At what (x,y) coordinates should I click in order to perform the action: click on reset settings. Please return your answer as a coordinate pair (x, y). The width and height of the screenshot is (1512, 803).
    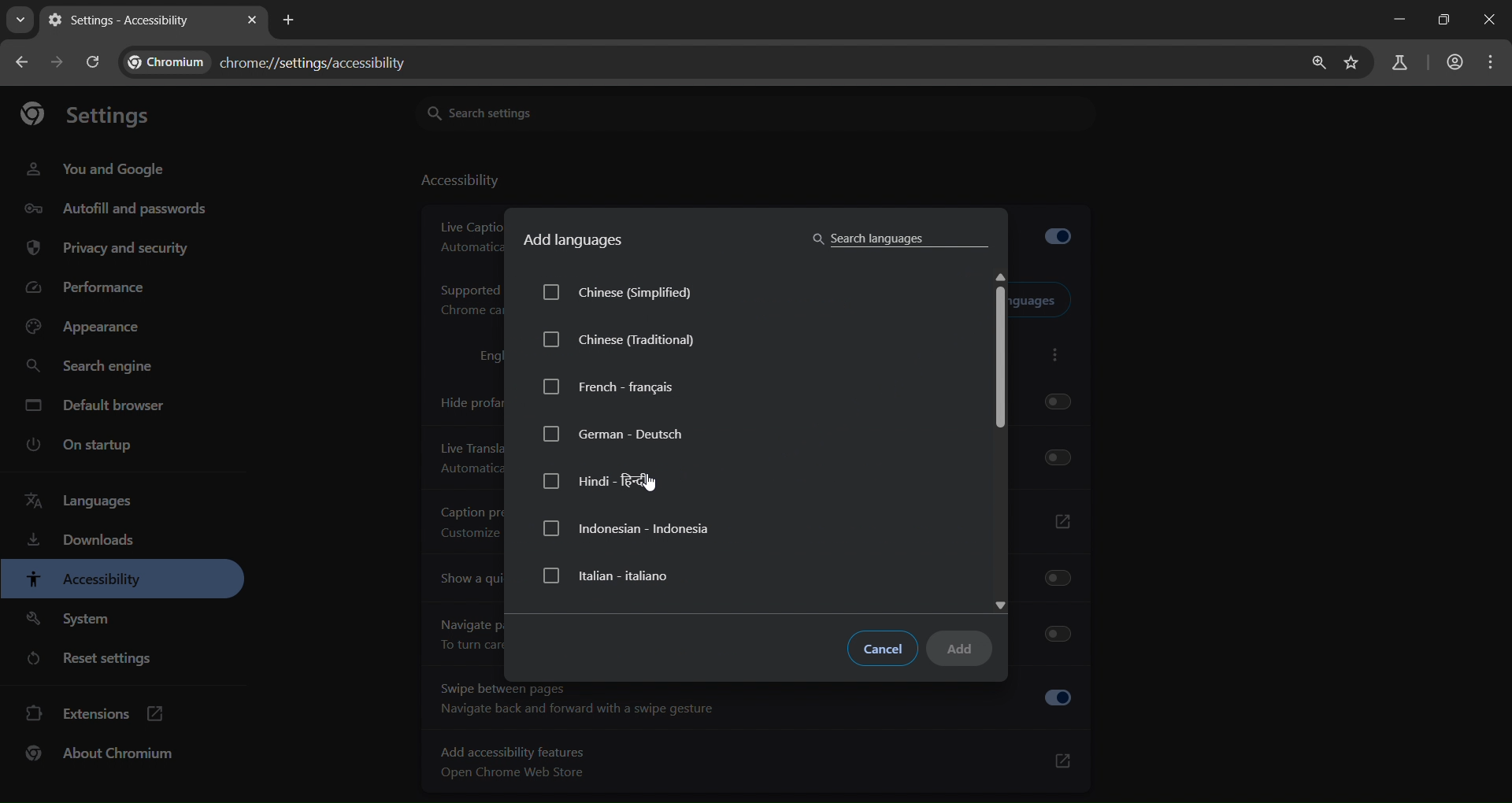
    Looking at the image, I should click on (97, 659).